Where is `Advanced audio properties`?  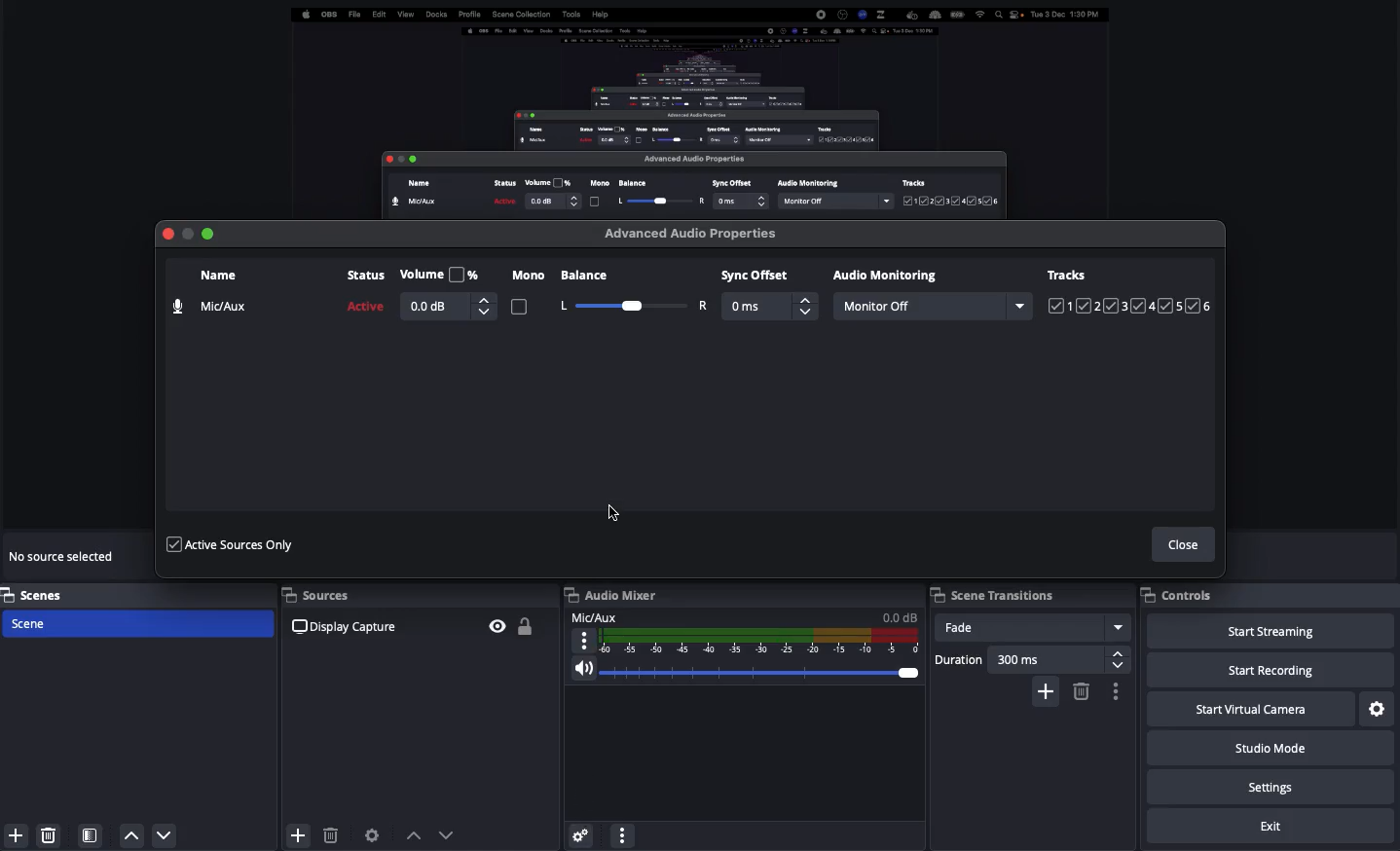
Advanced audio properties is located at coordinates (695, 235).